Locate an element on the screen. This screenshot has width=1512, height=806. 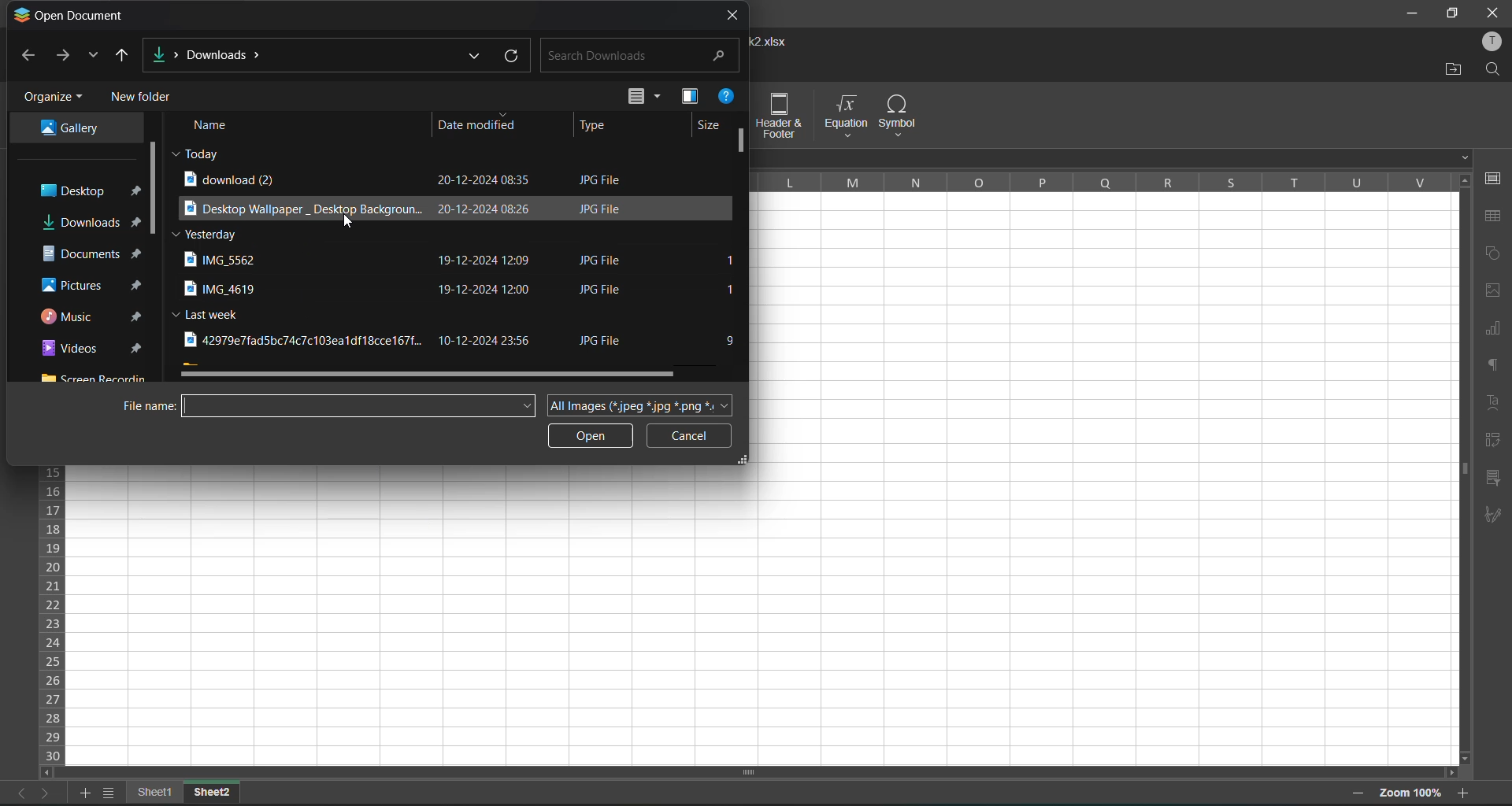
zoom in is located at coordinates (1464, 790).